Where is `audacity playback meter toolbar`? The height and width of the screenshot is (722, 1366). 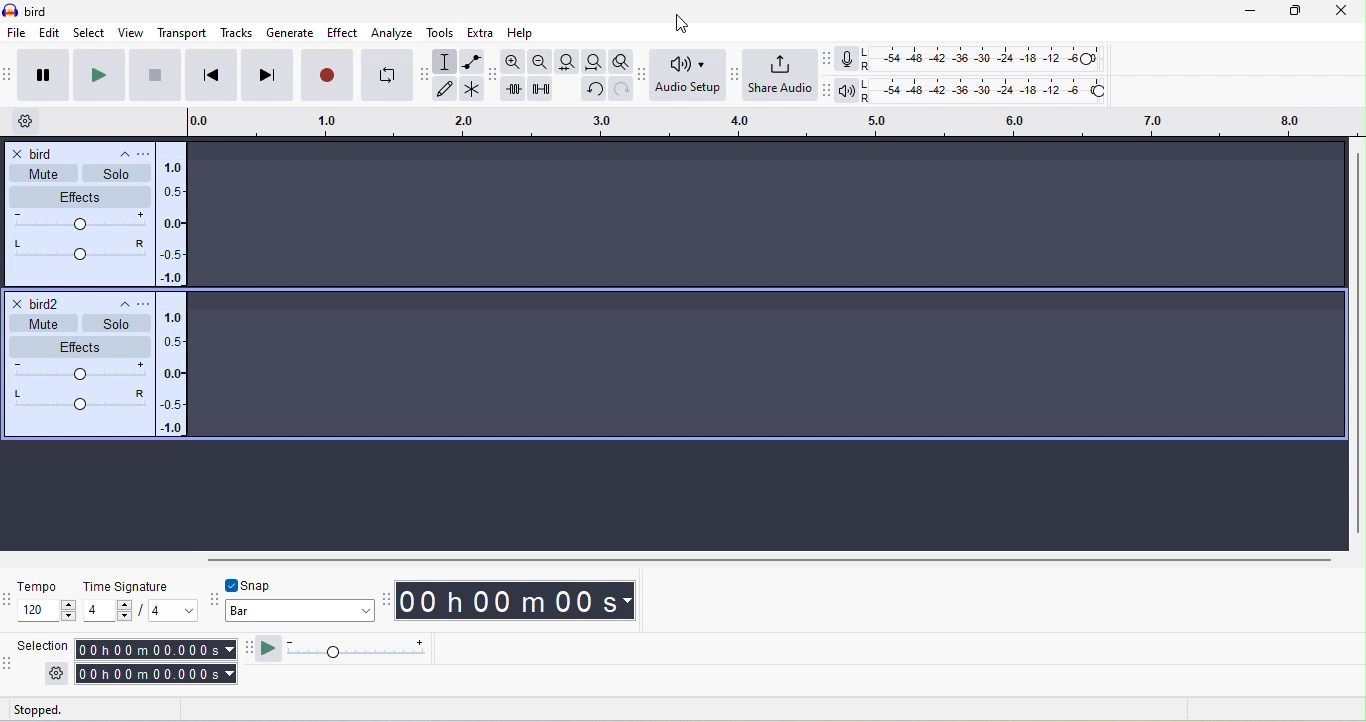 audacity playback meter toolbar is located at coordinates (829, 90).